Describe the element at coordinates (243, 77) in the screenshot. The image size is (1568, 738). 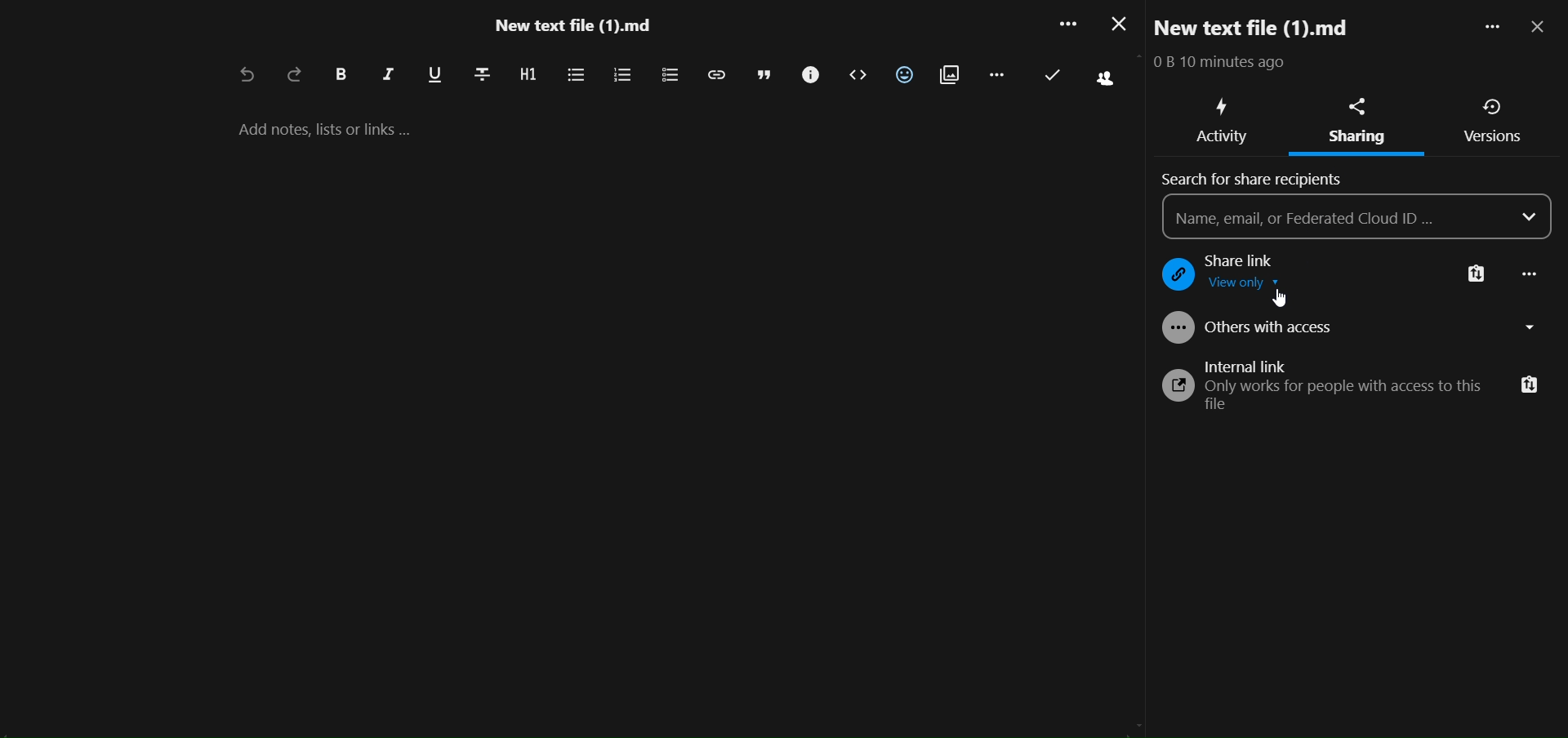
I see `undo` at that location.